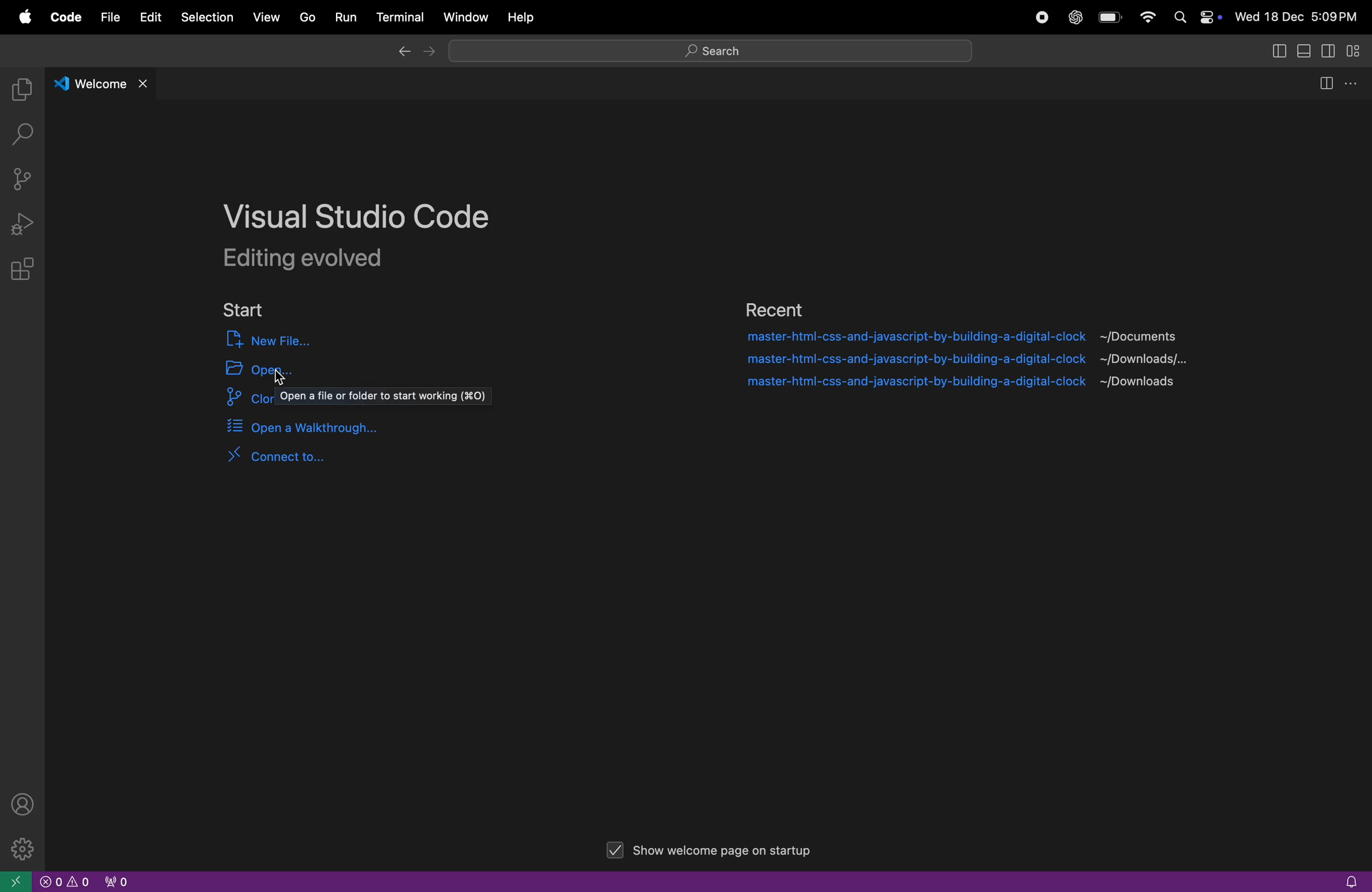 This screenshot has height=892, width=1372. I want to click on backward, so click(402, 53).